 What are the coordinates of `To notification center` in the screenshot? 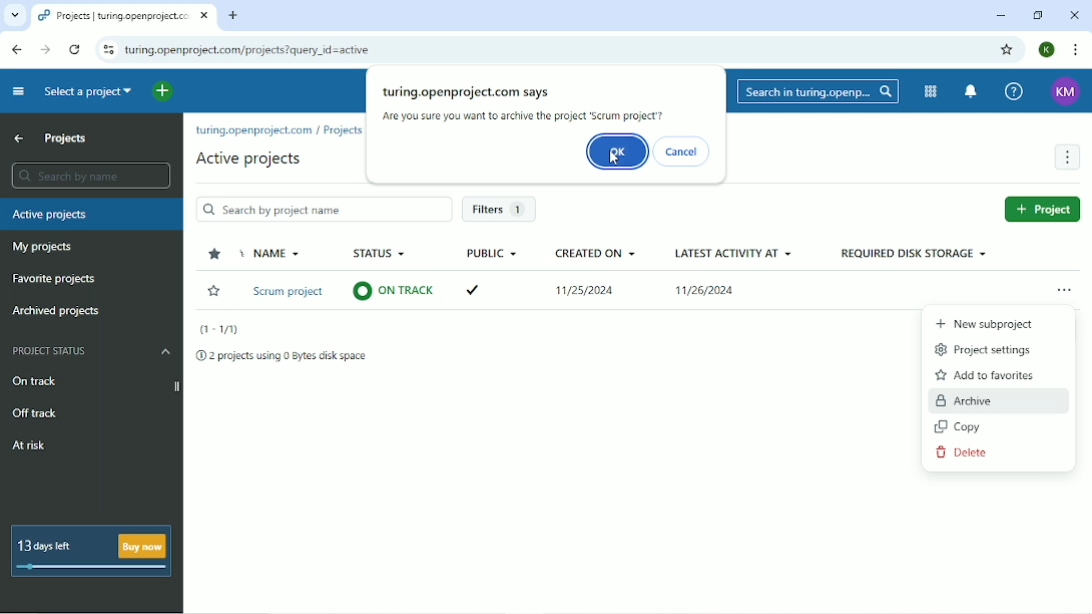 It's located at (970, 92).